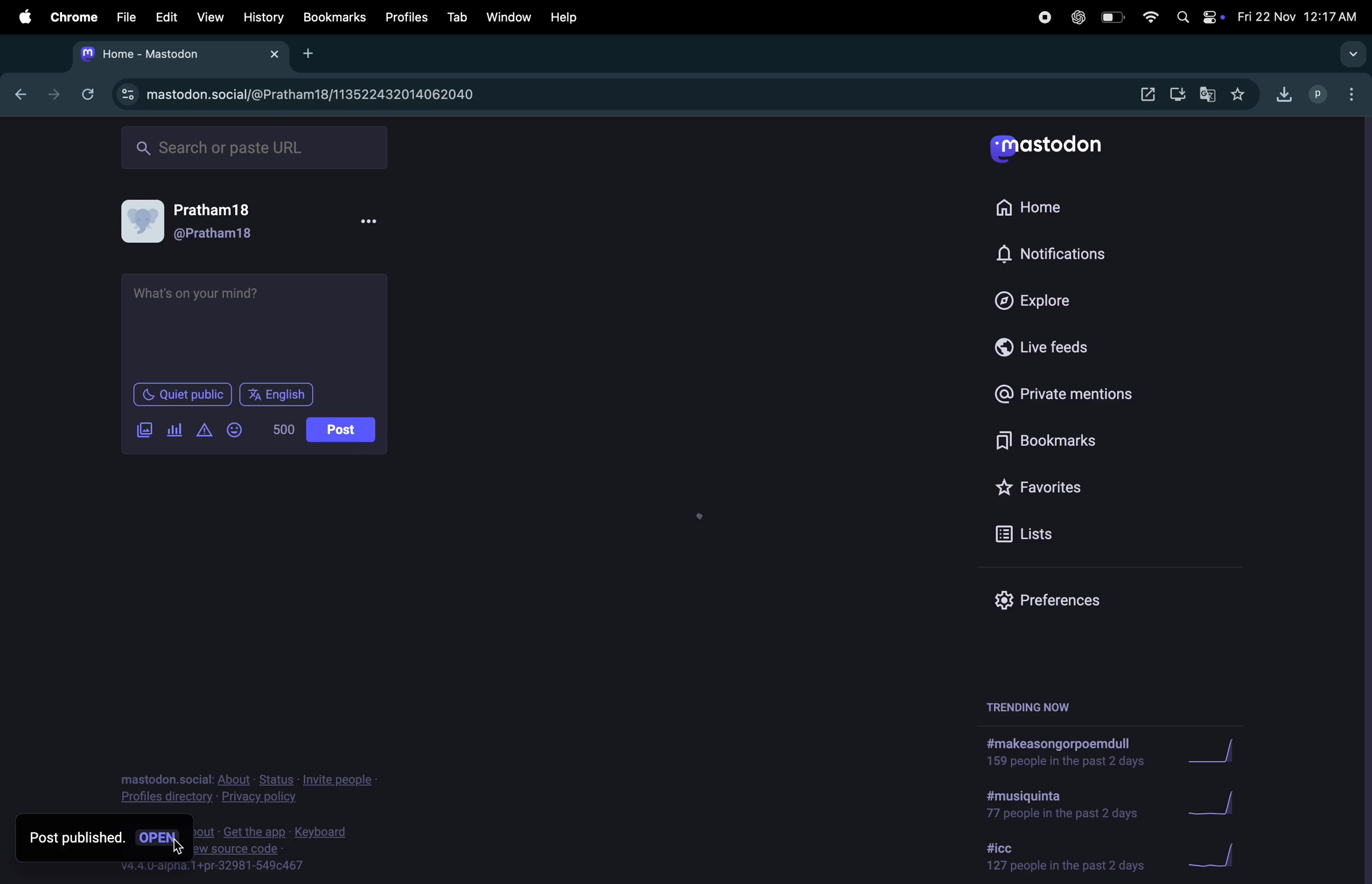 The height and width of the screenshot is (884, 1372). What do you see at coordinates (73, 15) in the screenshot?
I see `chrome` at bounding box center [73, 15].